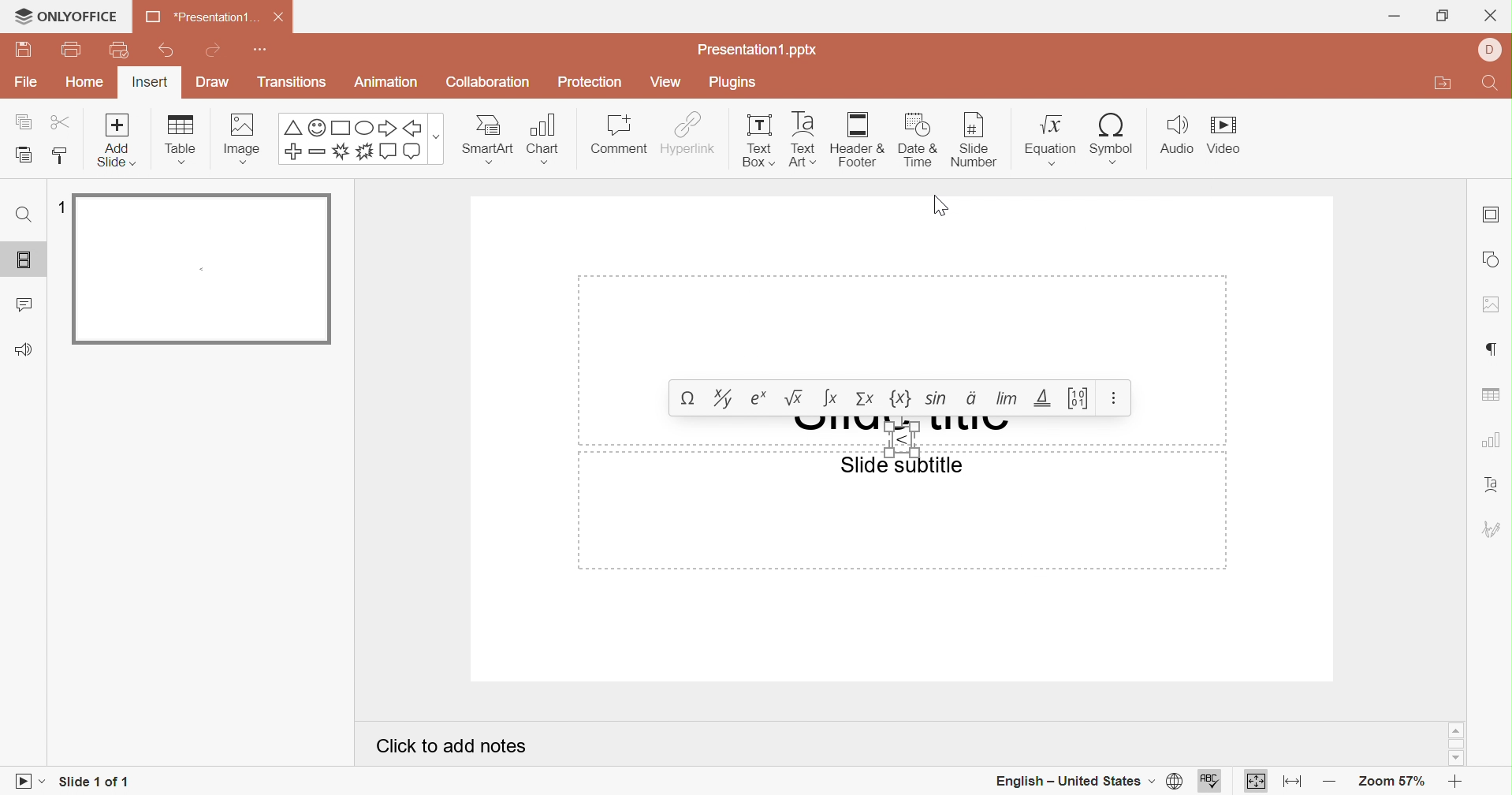 The image size is (1512, 795). What do you see at coordinates (28, 780) in the screenshot?
I see `Start slideshow` at bounding box center [28, 780].